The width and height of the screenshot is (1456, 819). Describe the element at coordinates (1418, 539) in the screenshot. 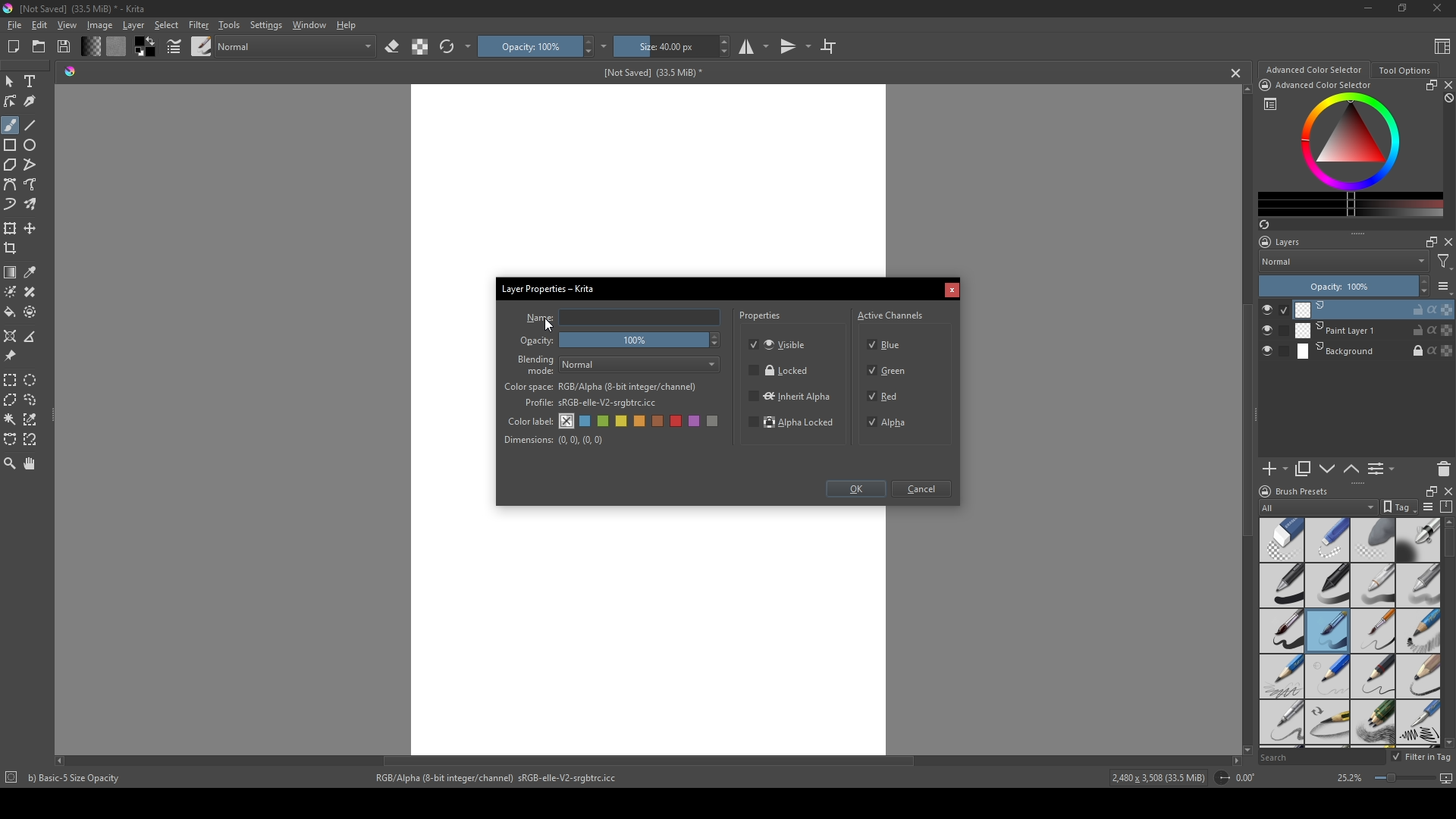

I see `blending tool` at that location.